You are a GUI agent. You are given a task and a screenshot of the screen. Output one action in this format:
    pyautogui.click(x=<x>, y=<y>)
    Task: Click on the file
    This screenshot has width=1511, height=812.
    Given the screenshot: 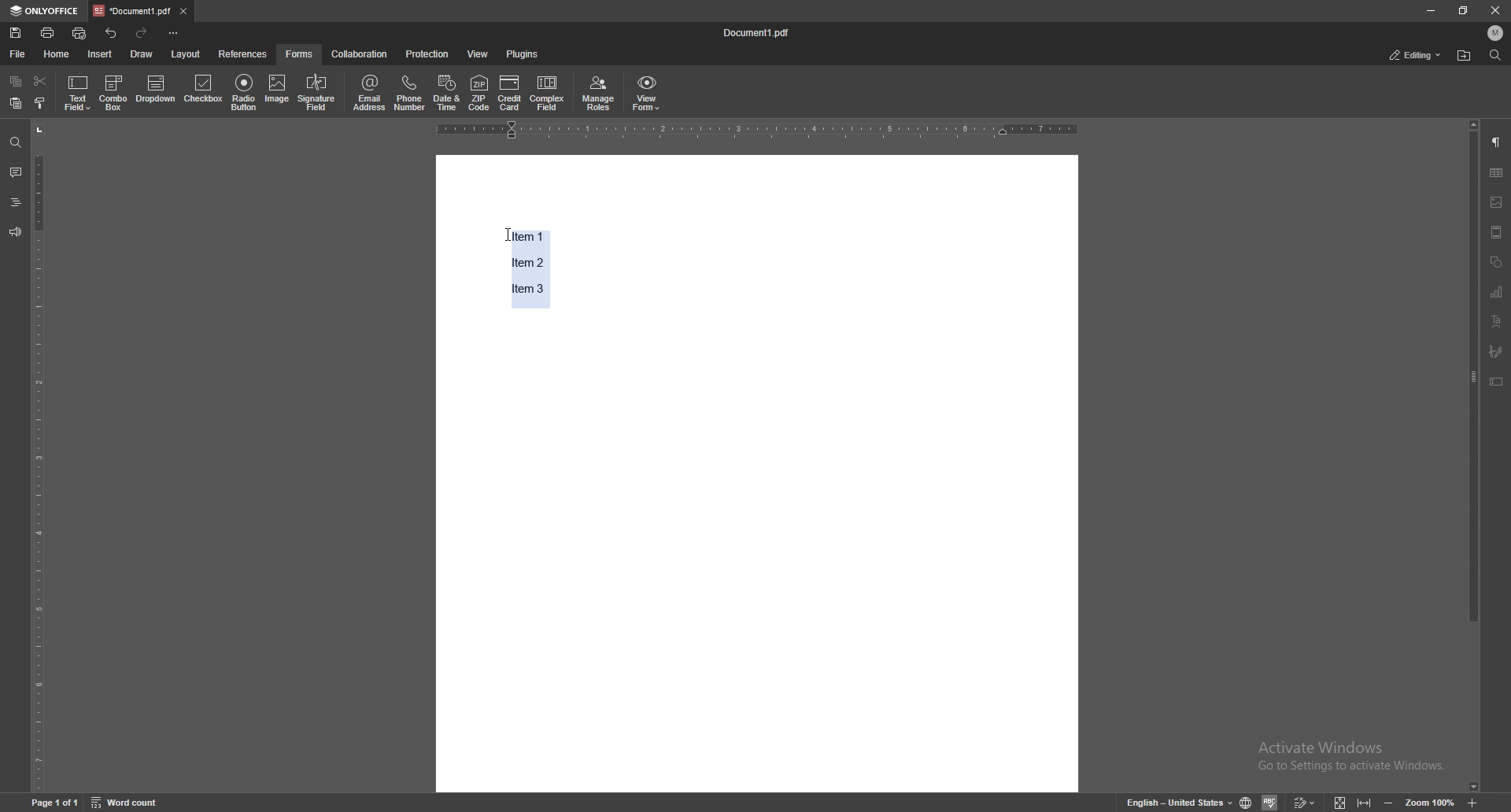 What is the action you would take?
    pyautogui.click(x=19, y=54)
    